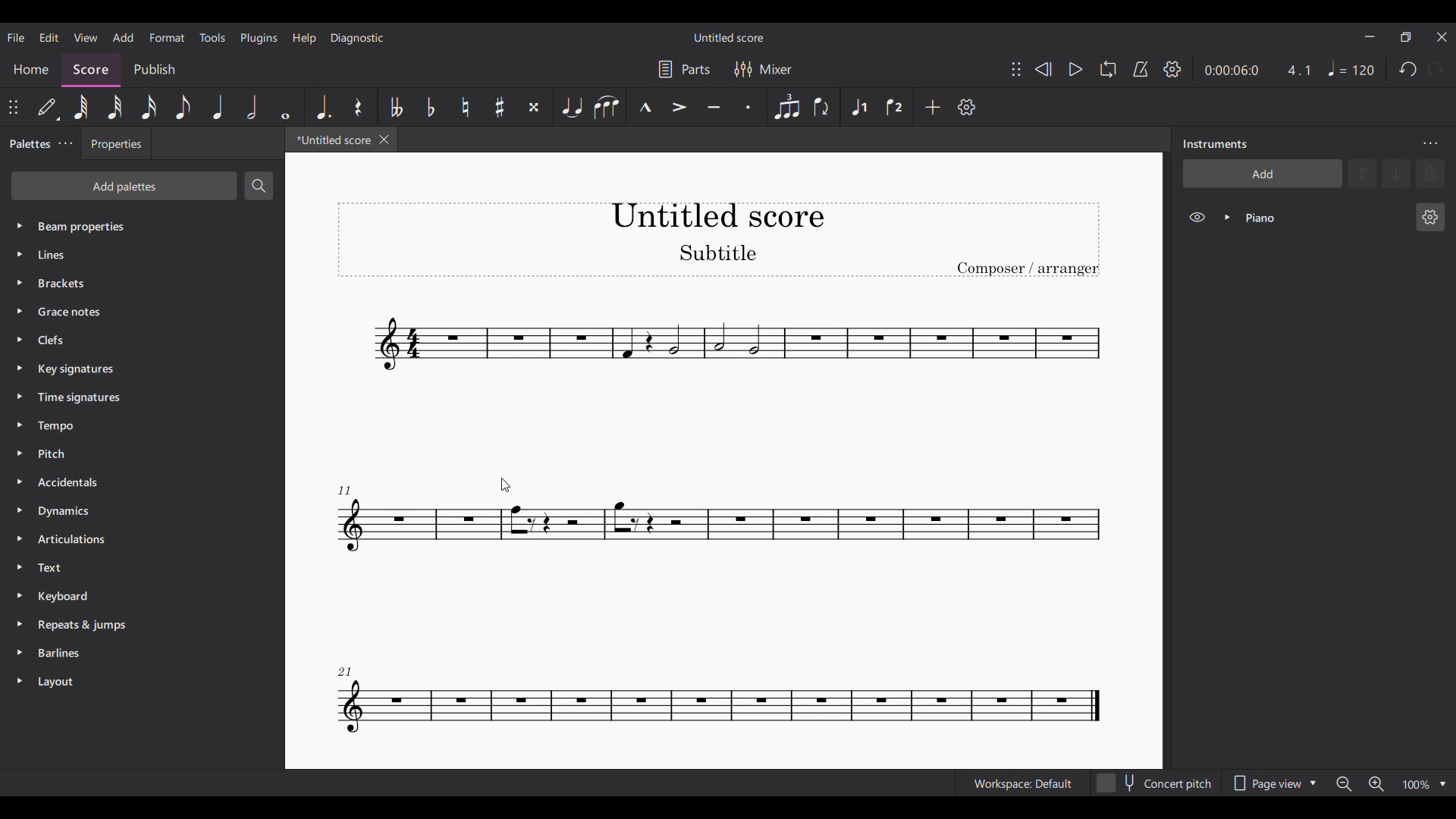  What do you see at coordinates (822, 108) in the screenshot?
I see `Flip direction` at bounding box center [822, 108].